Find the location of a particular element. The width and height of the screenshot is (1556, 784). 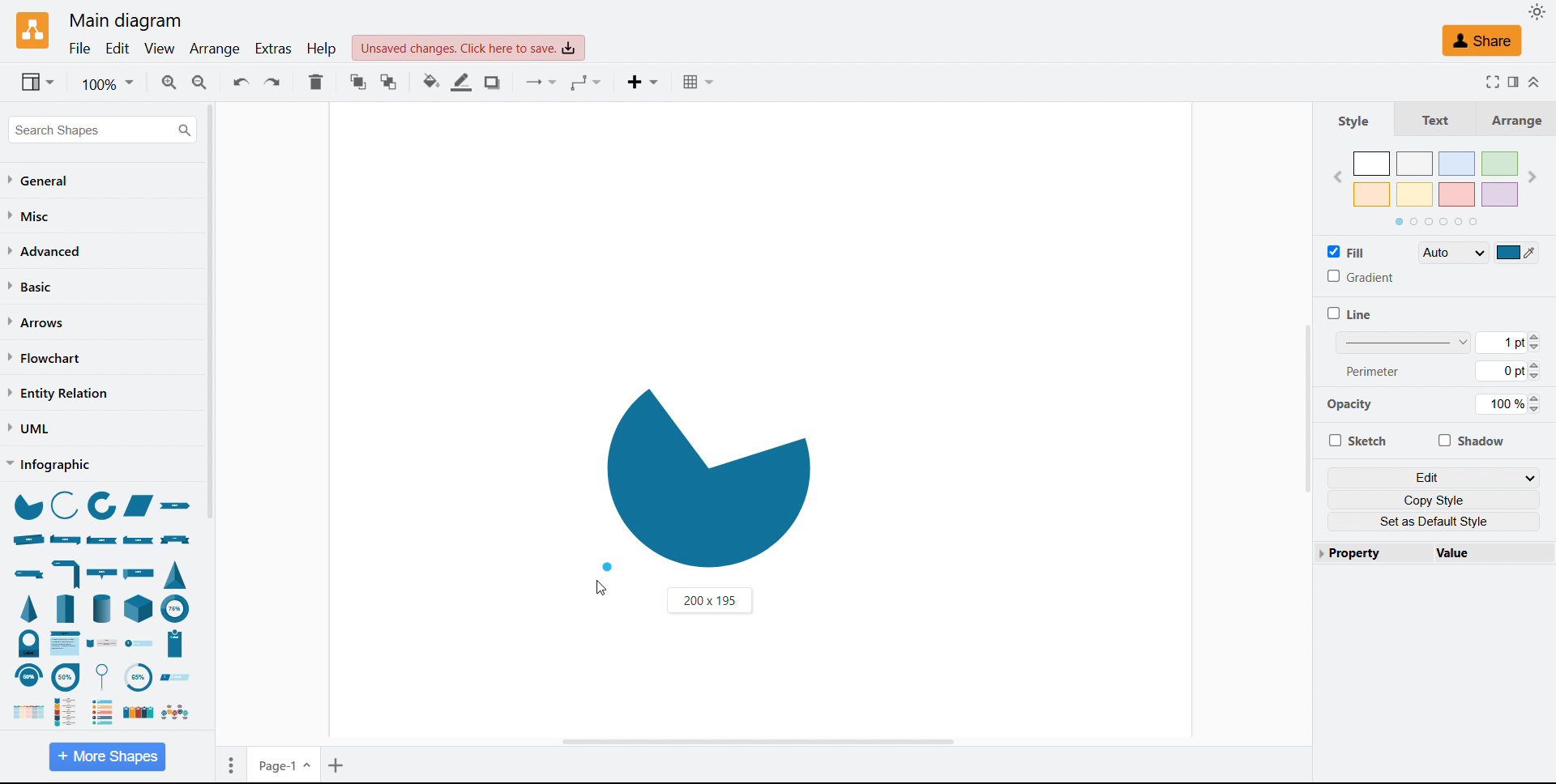

Zoom out  is located at coordinates (201, 82).